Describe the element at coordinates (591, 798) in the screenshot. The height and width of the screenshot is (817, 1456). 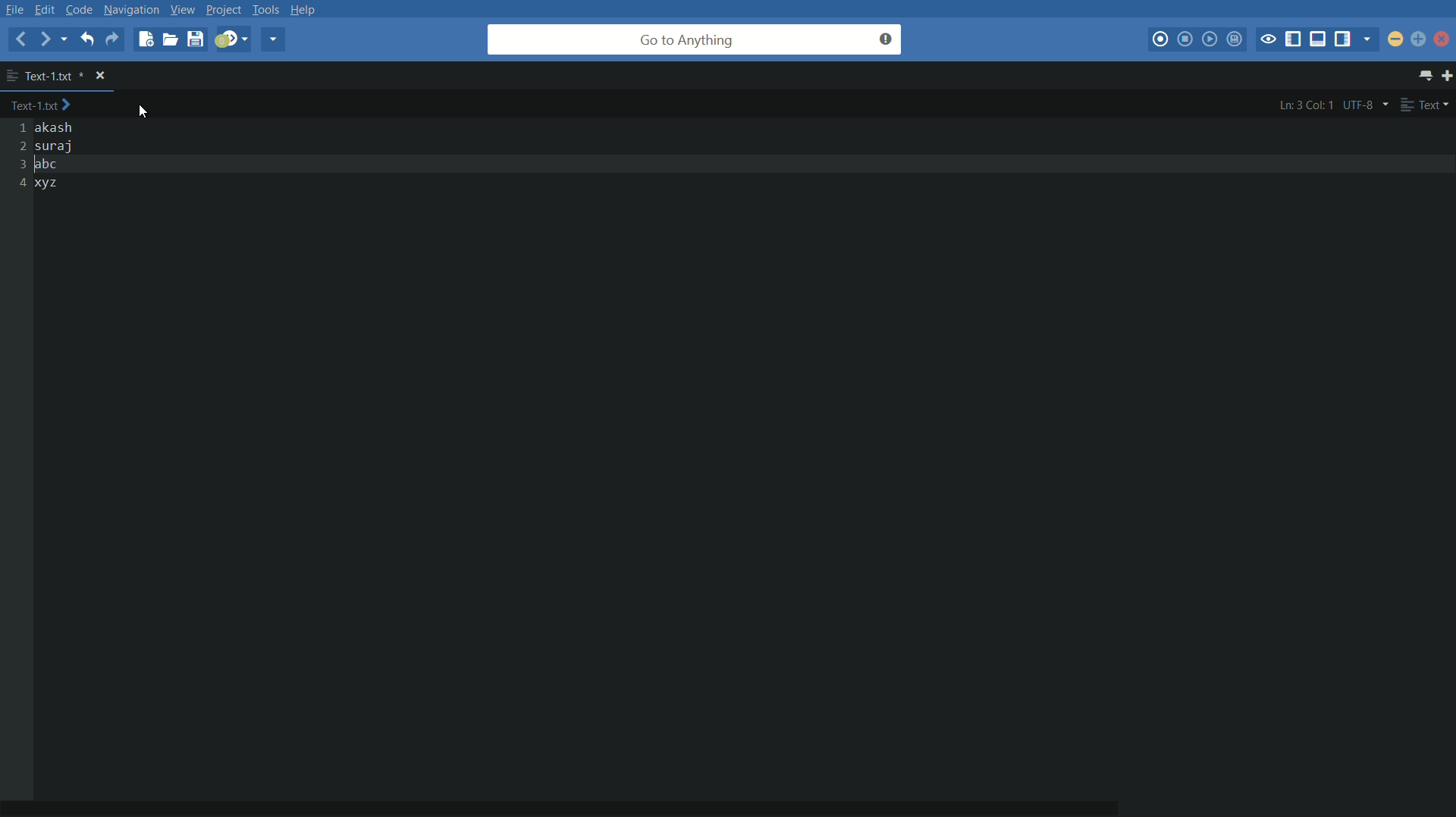
I see `horizontal scroll bar` at that location.